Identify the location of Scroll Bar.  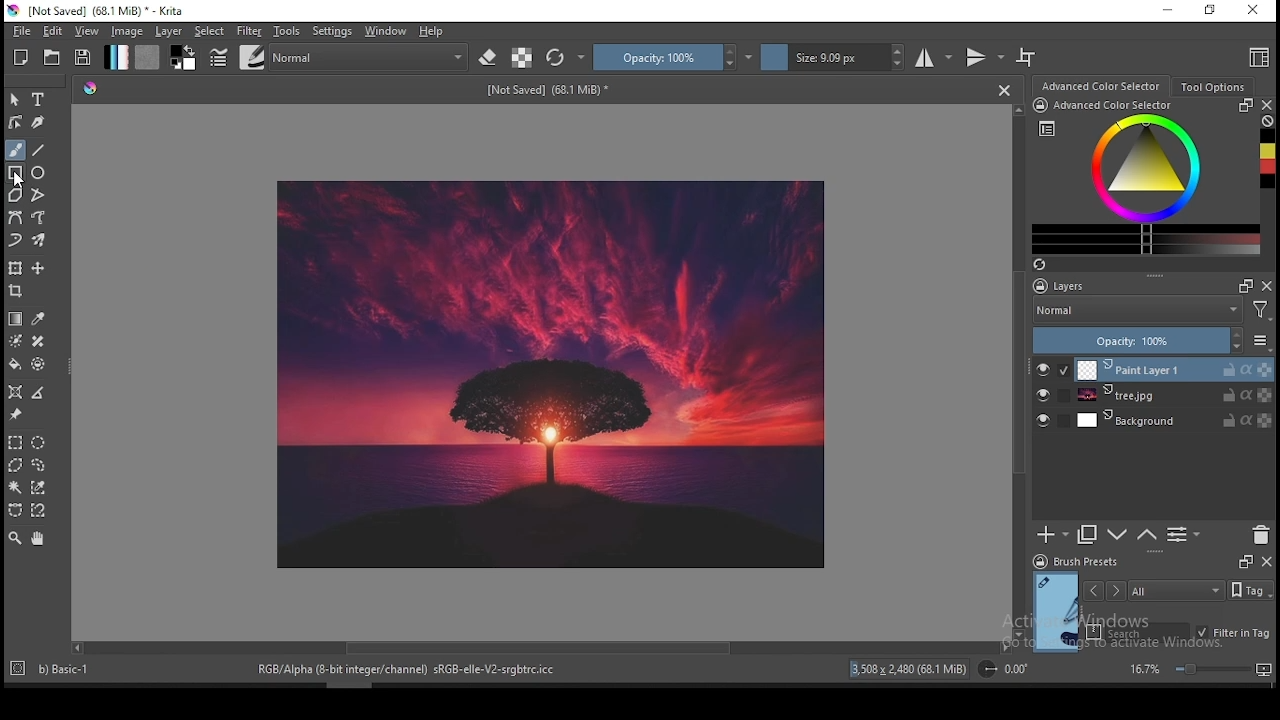
(539, 649).